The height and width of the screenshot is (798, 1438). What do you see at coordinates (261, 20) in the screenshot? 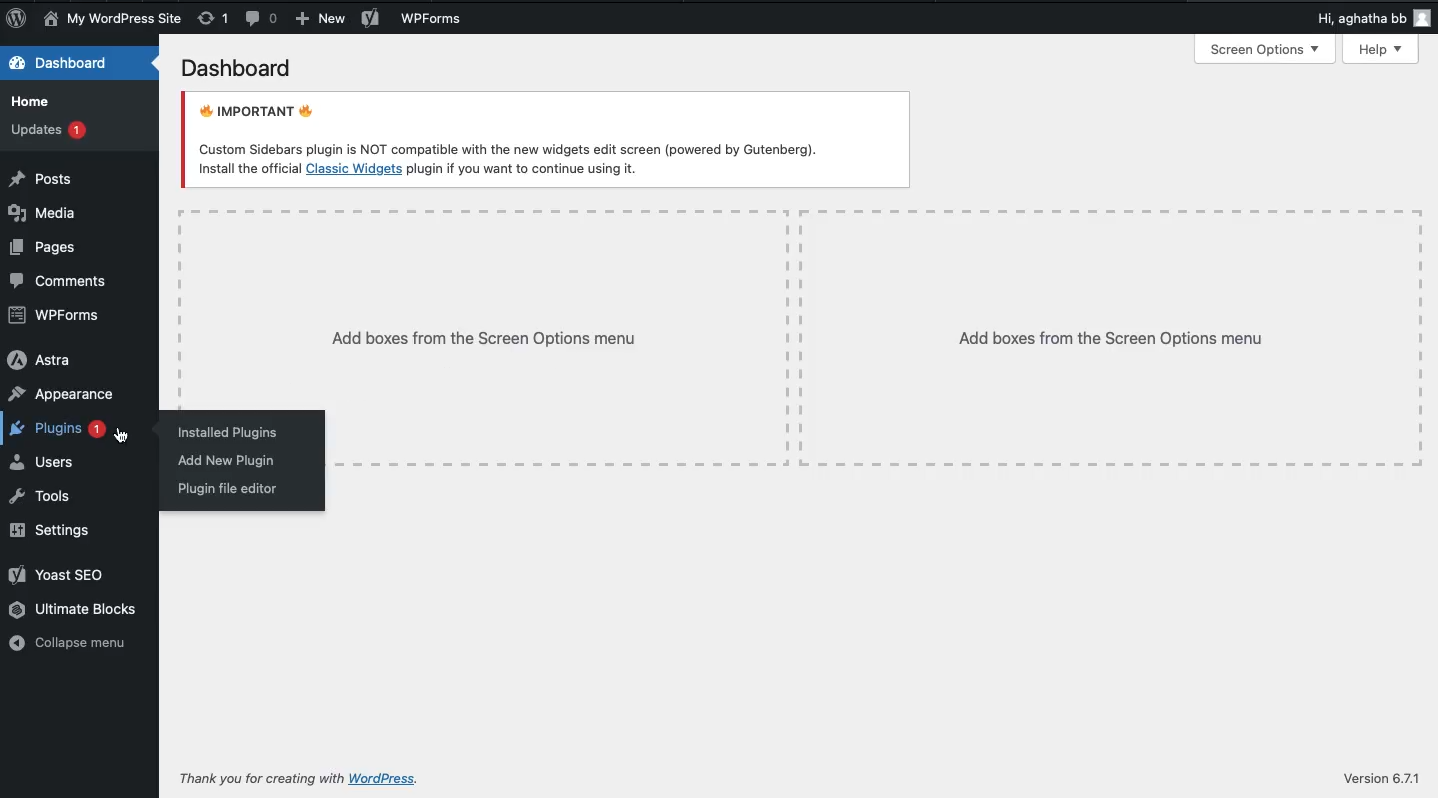
I see `Comment` at bounding box center [261, 20].